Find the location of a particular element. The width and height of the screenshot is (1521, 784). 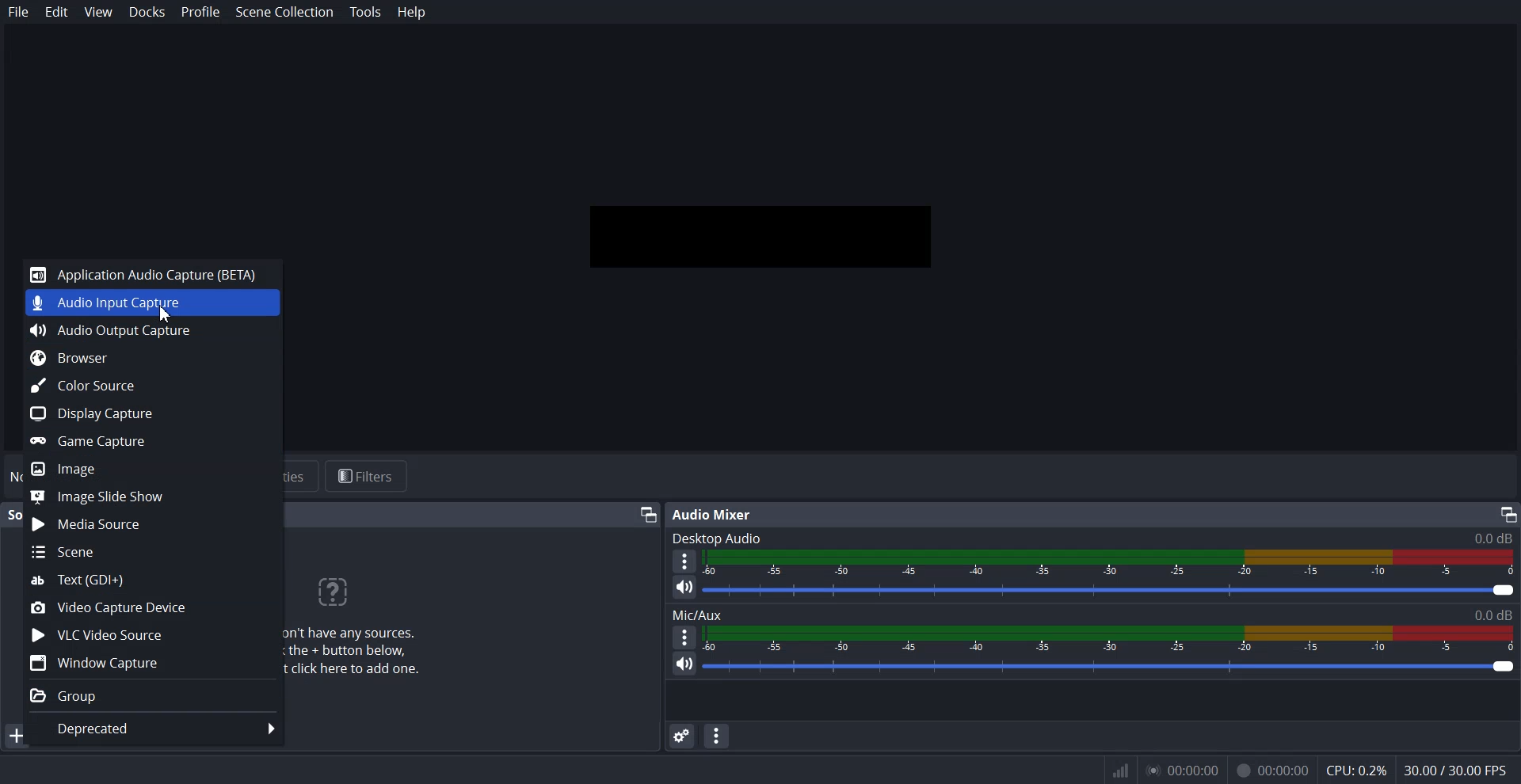

Audio Input Capture is located at coordinates (151, 300).